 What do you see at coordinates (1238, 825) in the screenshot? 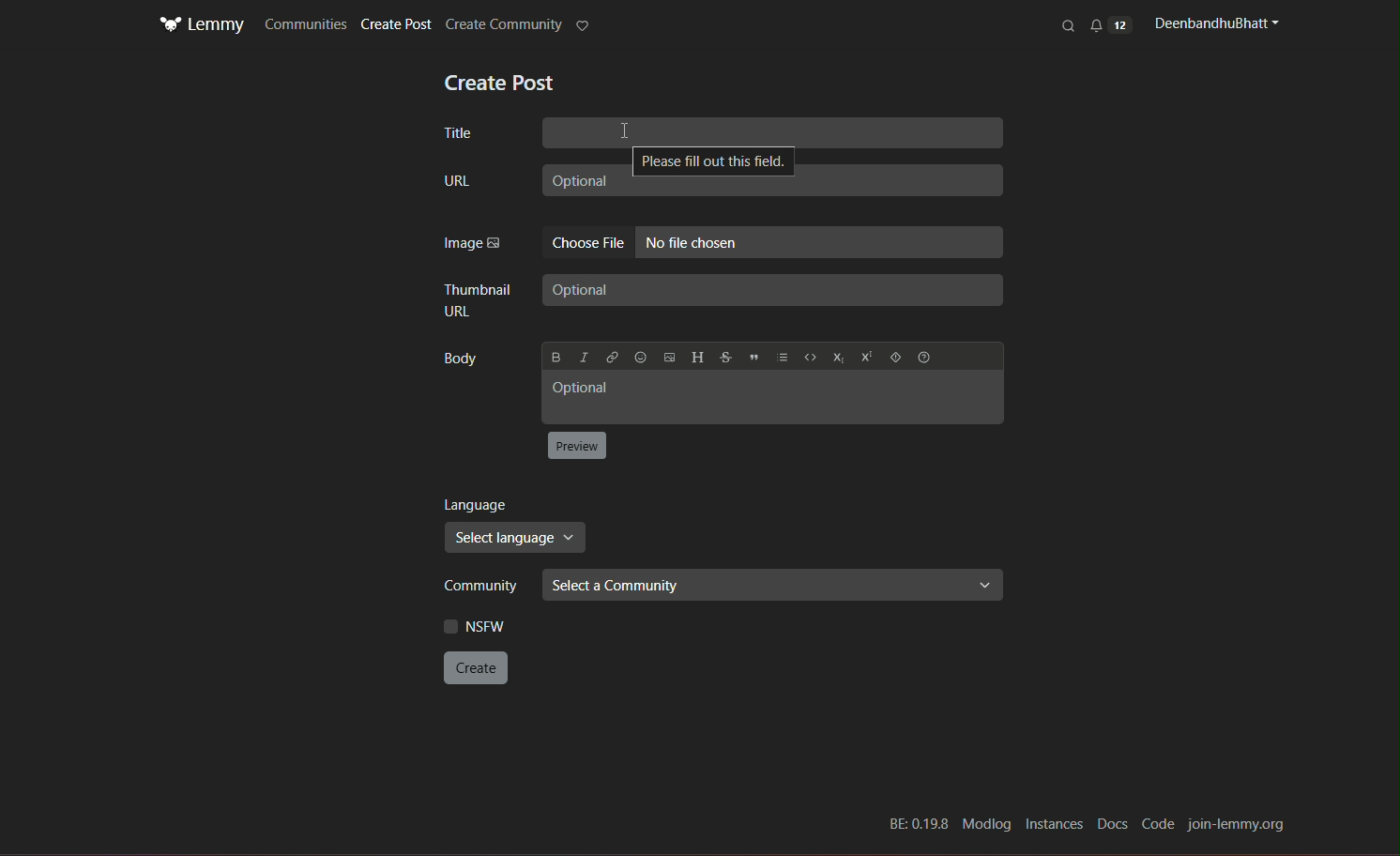
I see `join-lemmy.org` at bounding box center [1238, 825].